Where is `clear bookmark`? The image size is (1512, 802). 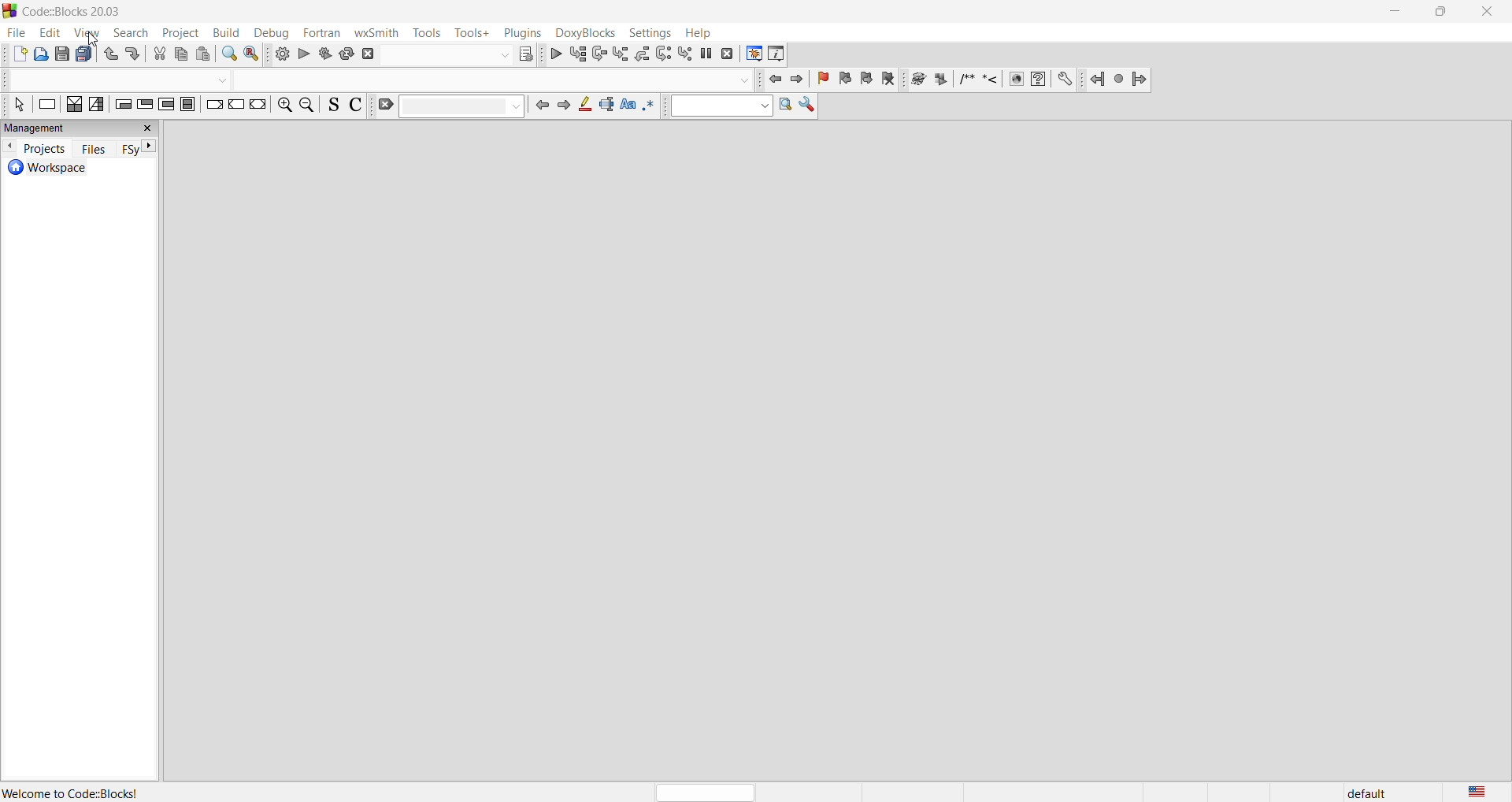
clear bookmark is located at coordinates (891, 80).